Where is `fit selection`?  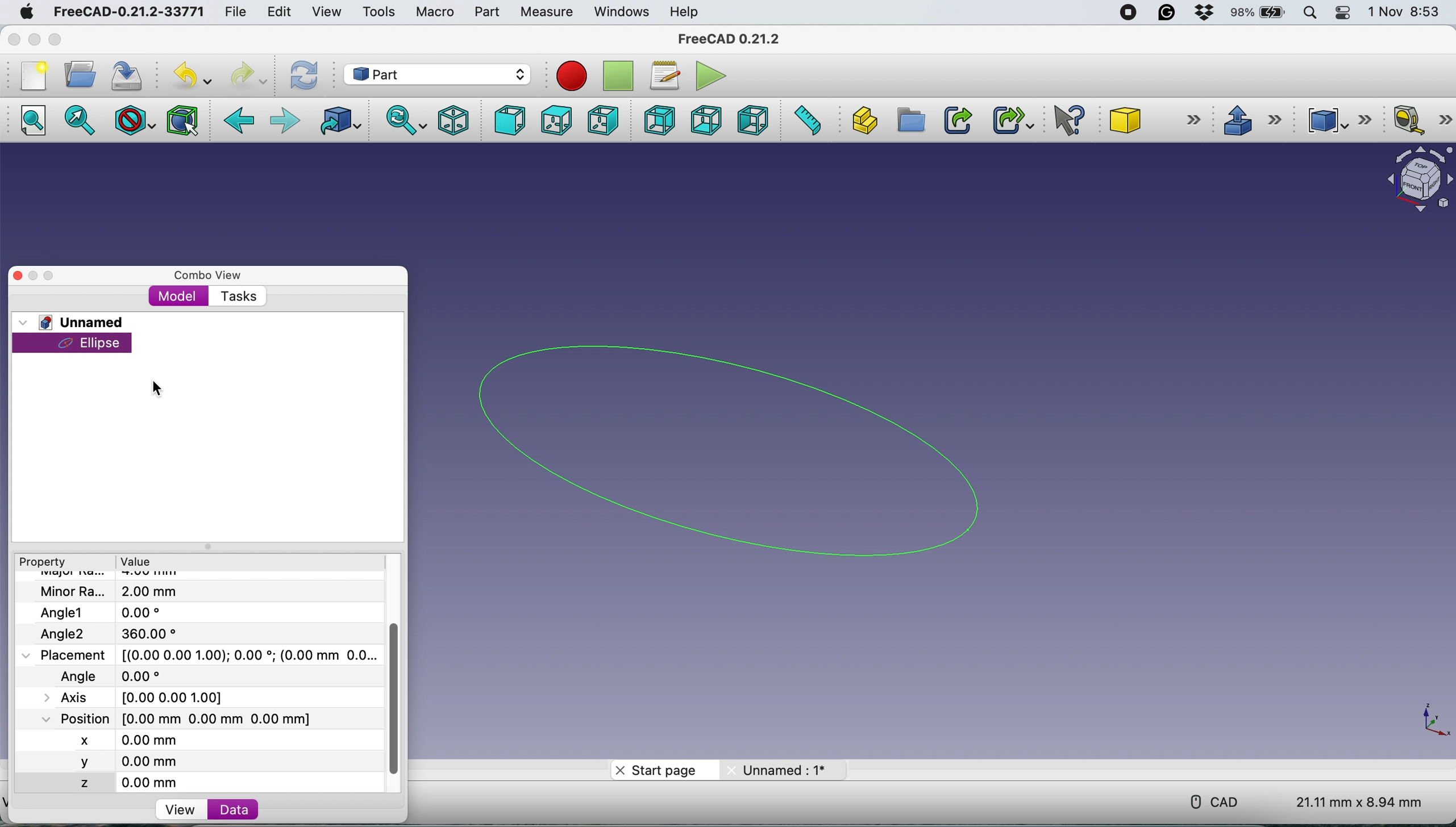 fit selection is located at coordinates (80, 120).